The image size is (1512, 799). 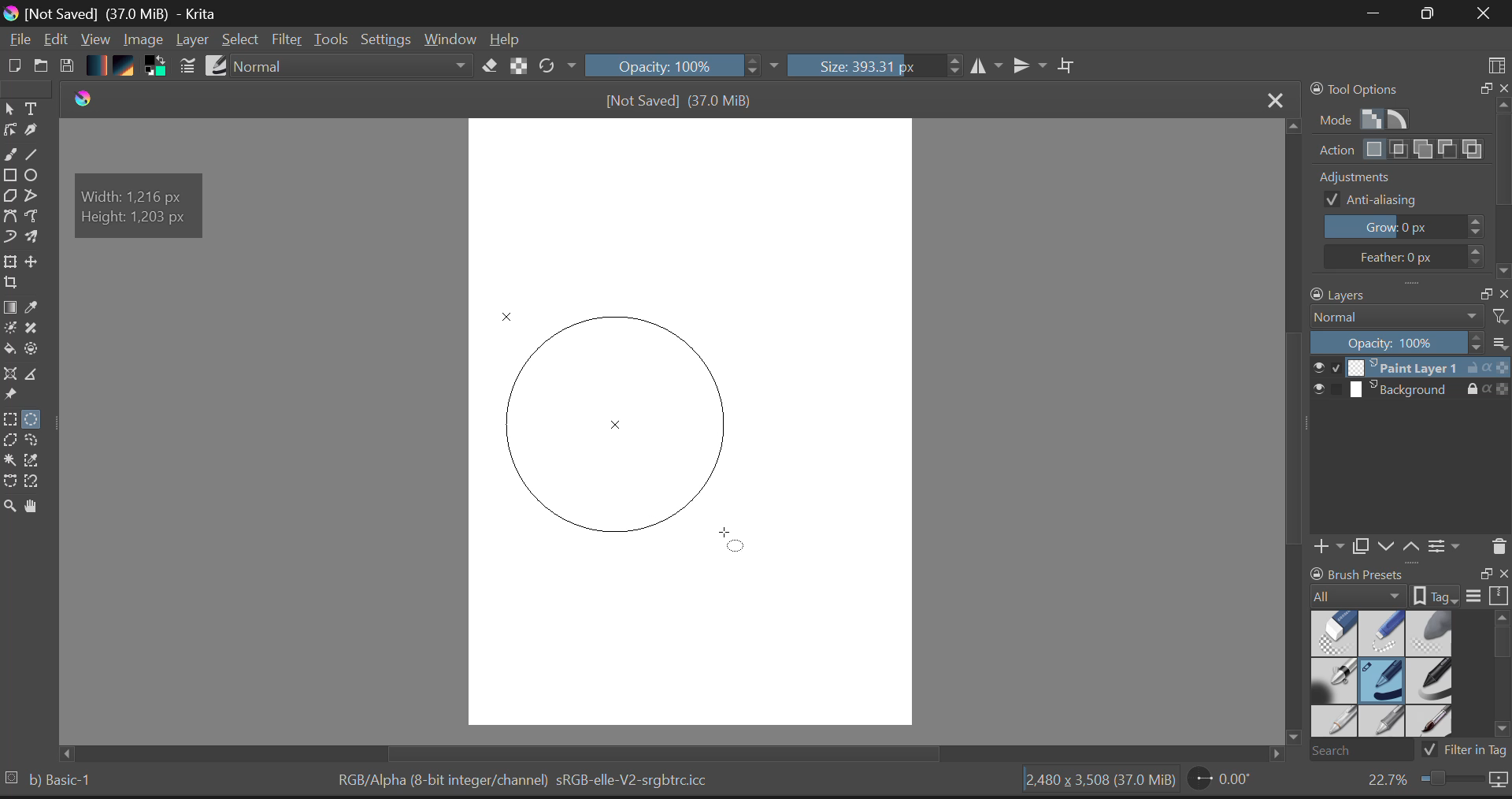 What do you see at coordinates (19, 42) in the screenshot?
I see `File` at bounding box center [19, 42].